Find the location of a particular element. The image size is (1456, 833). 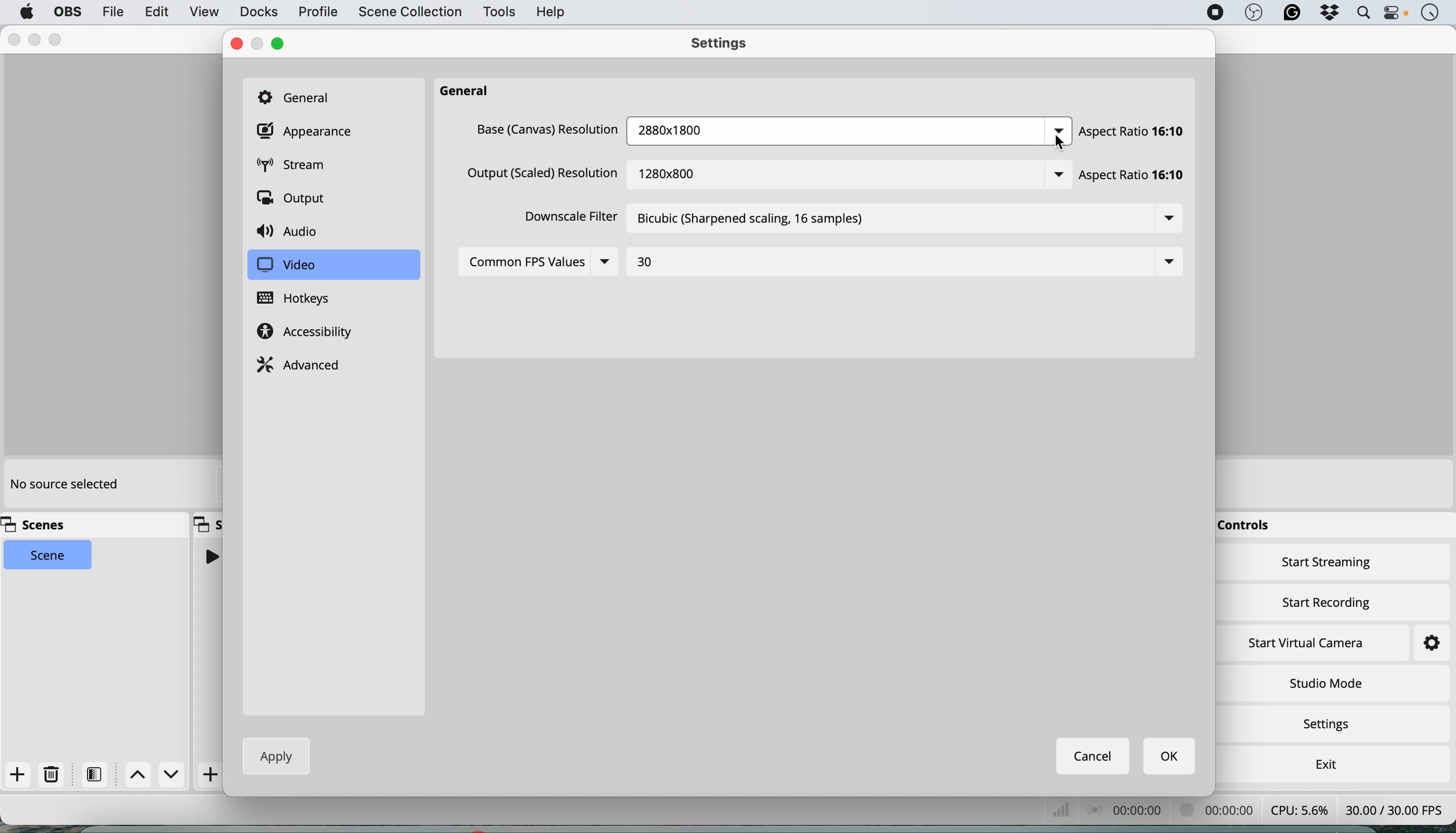

frames per second is located at coordinates (1394, 808).